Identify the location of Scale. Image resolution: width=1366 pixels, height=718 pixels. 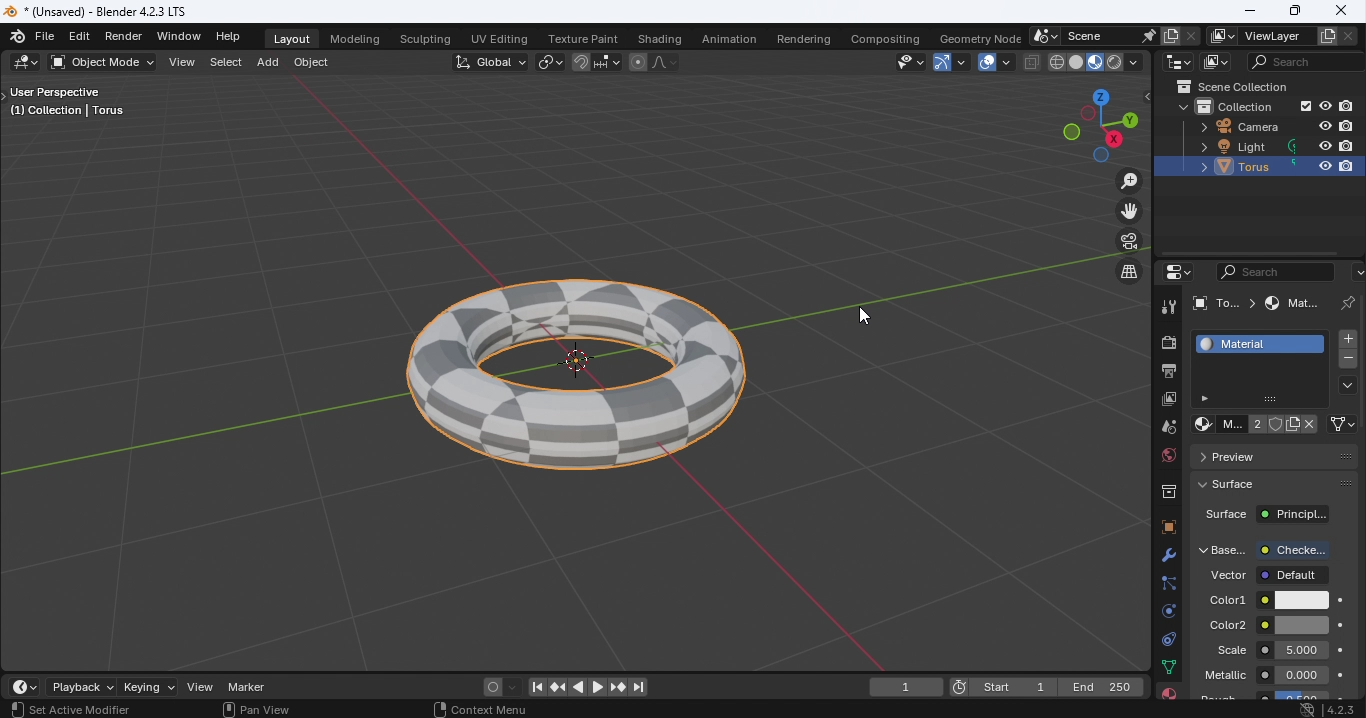
(1271, 651).